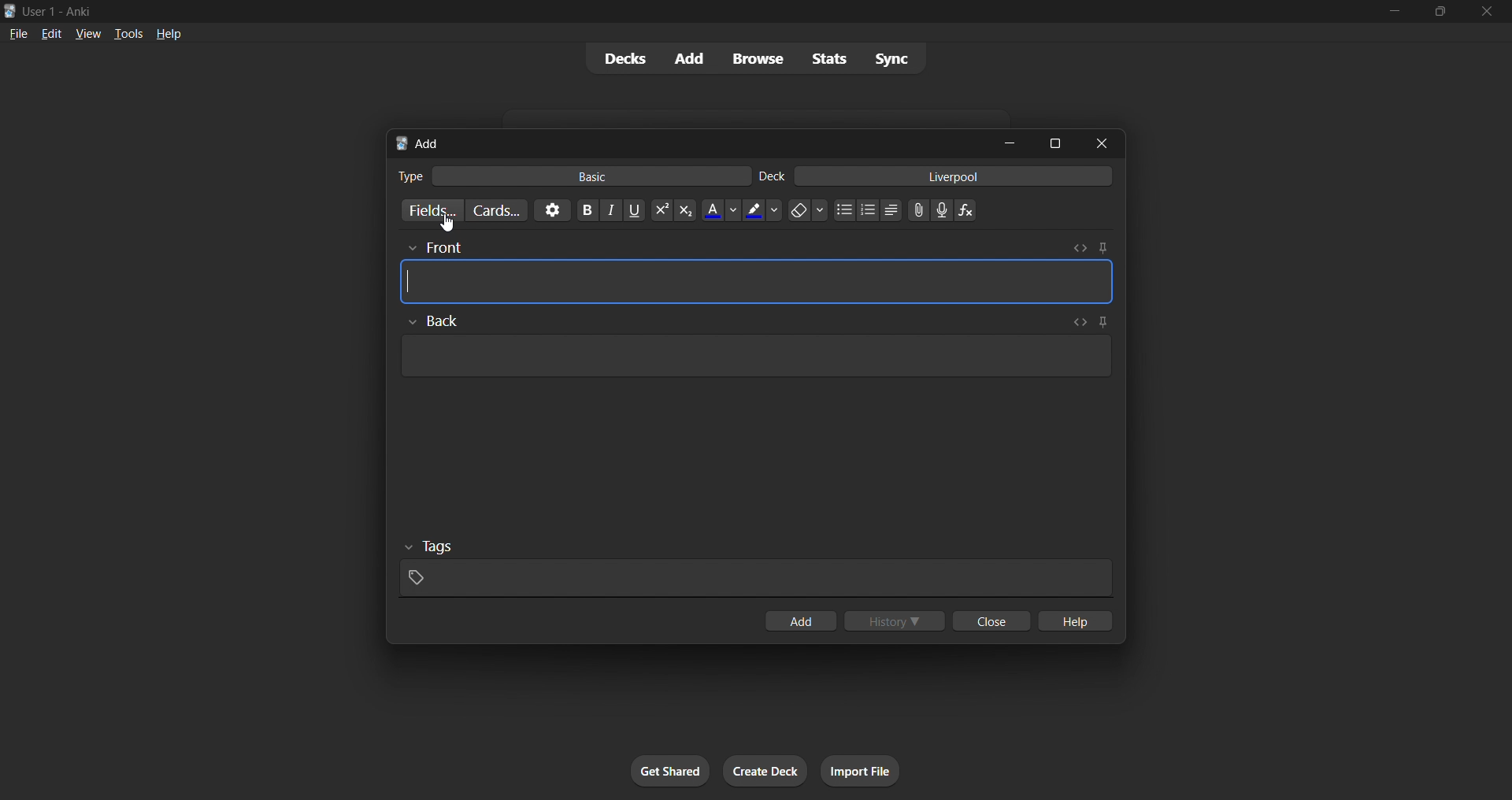 This screenshot has height=800, width=1512. What do you see at coordinates (809, 210) in the screenshot?
I see `Remove formatting options` at bounding box center [809, 210].